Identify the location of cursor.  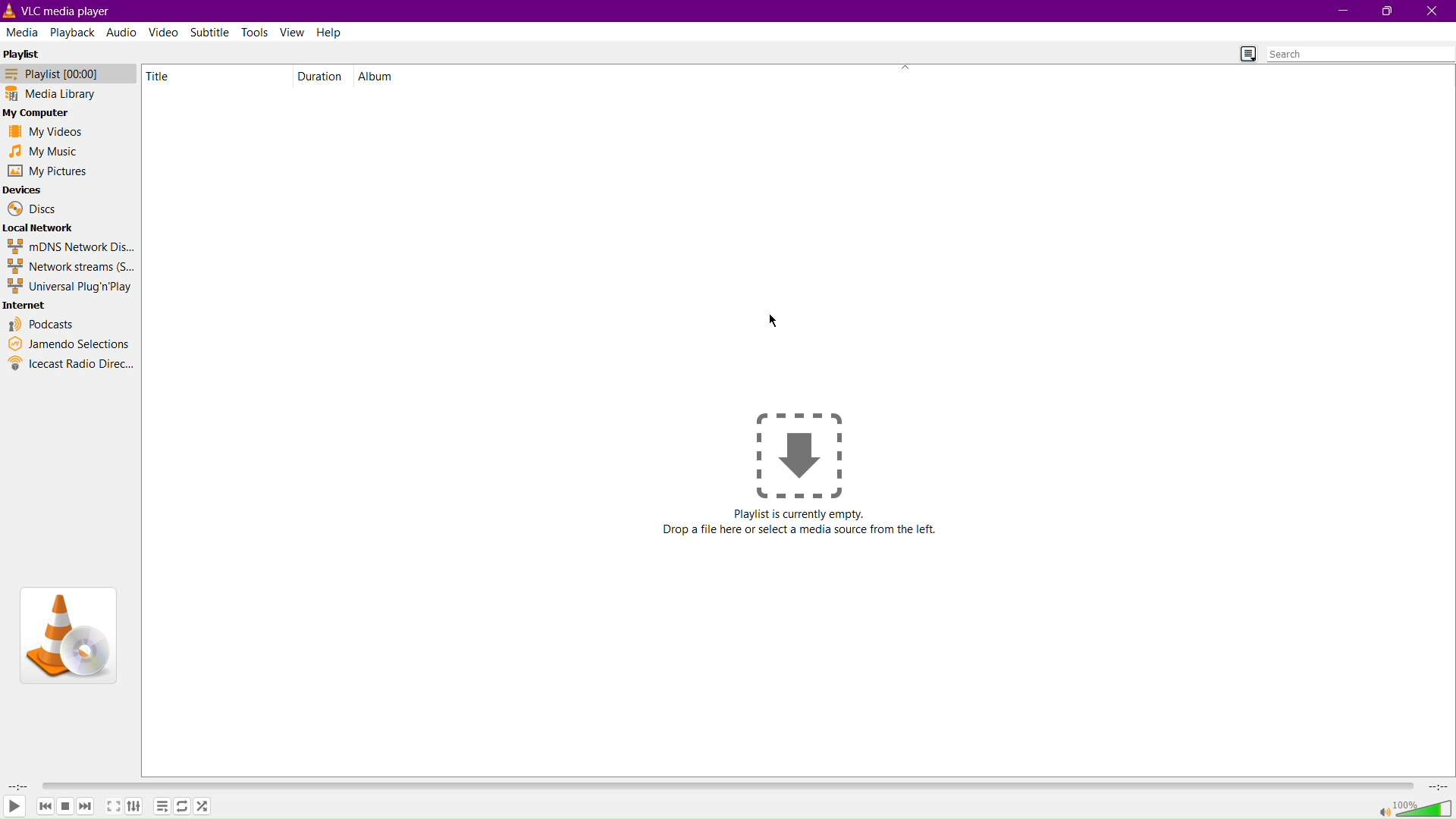
(773, 320).